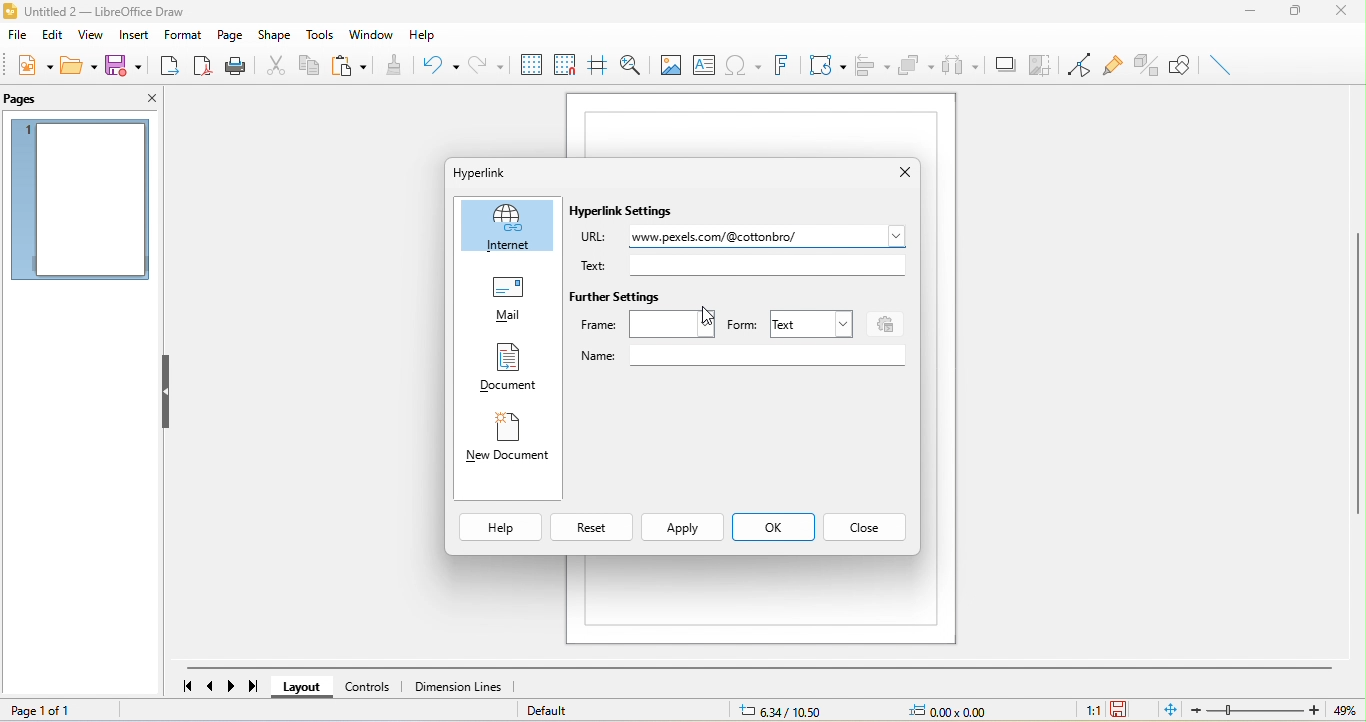  Describe the element at coordinates (77, 69) in the screenshot. I see `open` at that location.